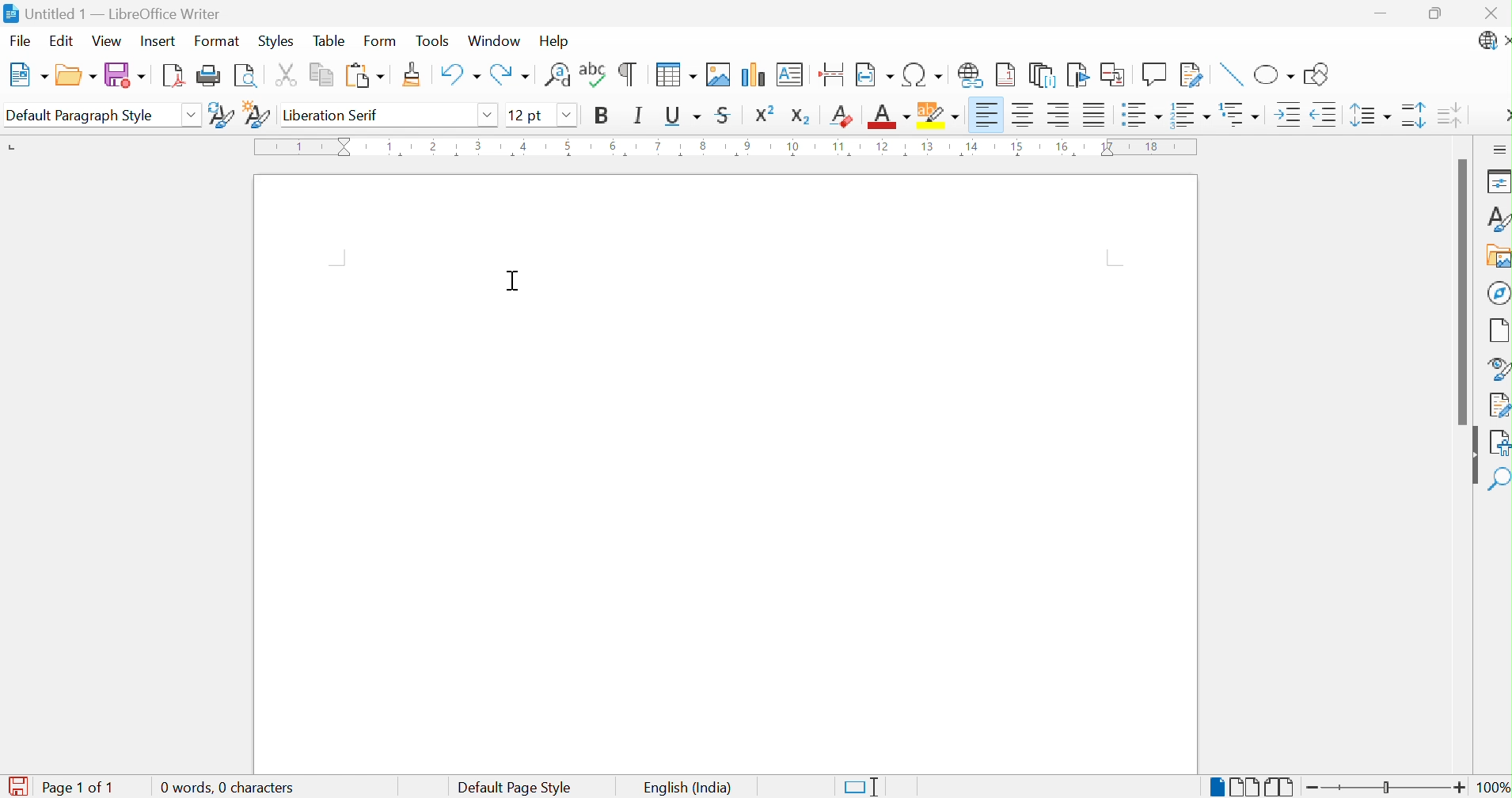 Image resolution: width=1512 pixels, height=798 pixels. Describe the element at coordinates (831, 74) in the screenshot. I see `Insert Page Break` at that location.